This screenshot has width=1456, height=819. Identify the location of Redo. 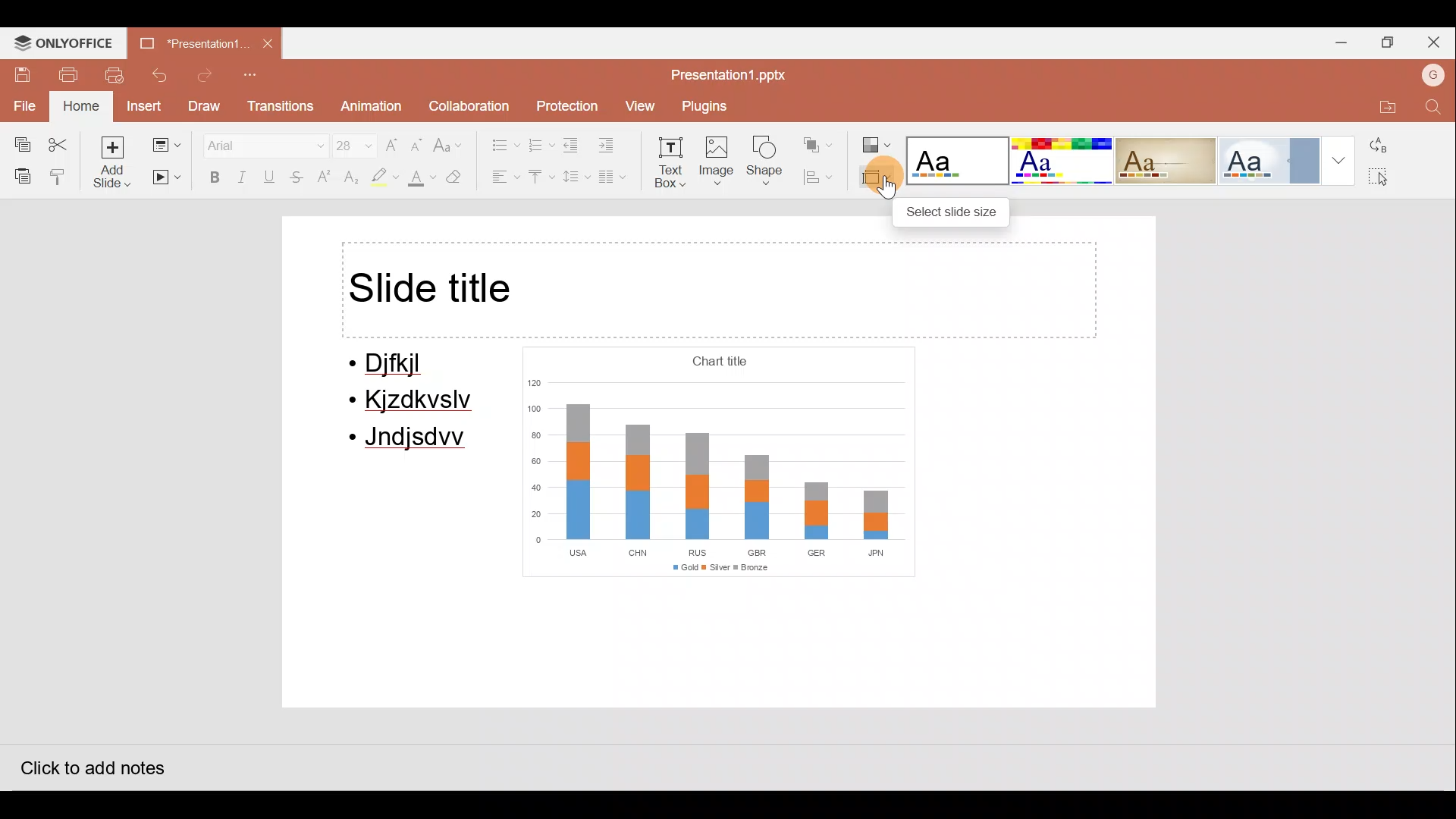
(206, 76).